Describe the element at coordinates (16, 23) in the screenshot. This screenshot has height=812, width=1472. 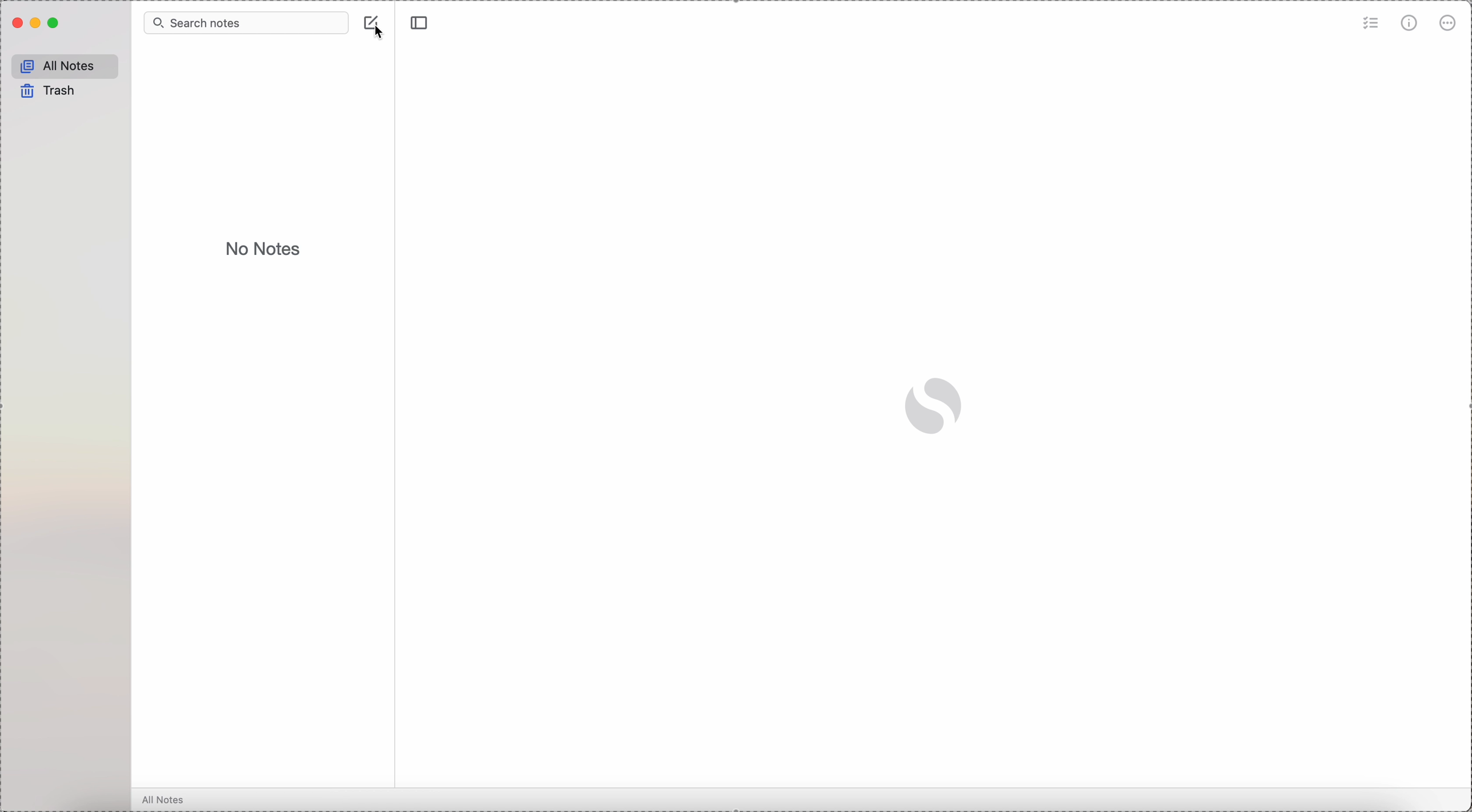
I see `close Simplenote` at that location.